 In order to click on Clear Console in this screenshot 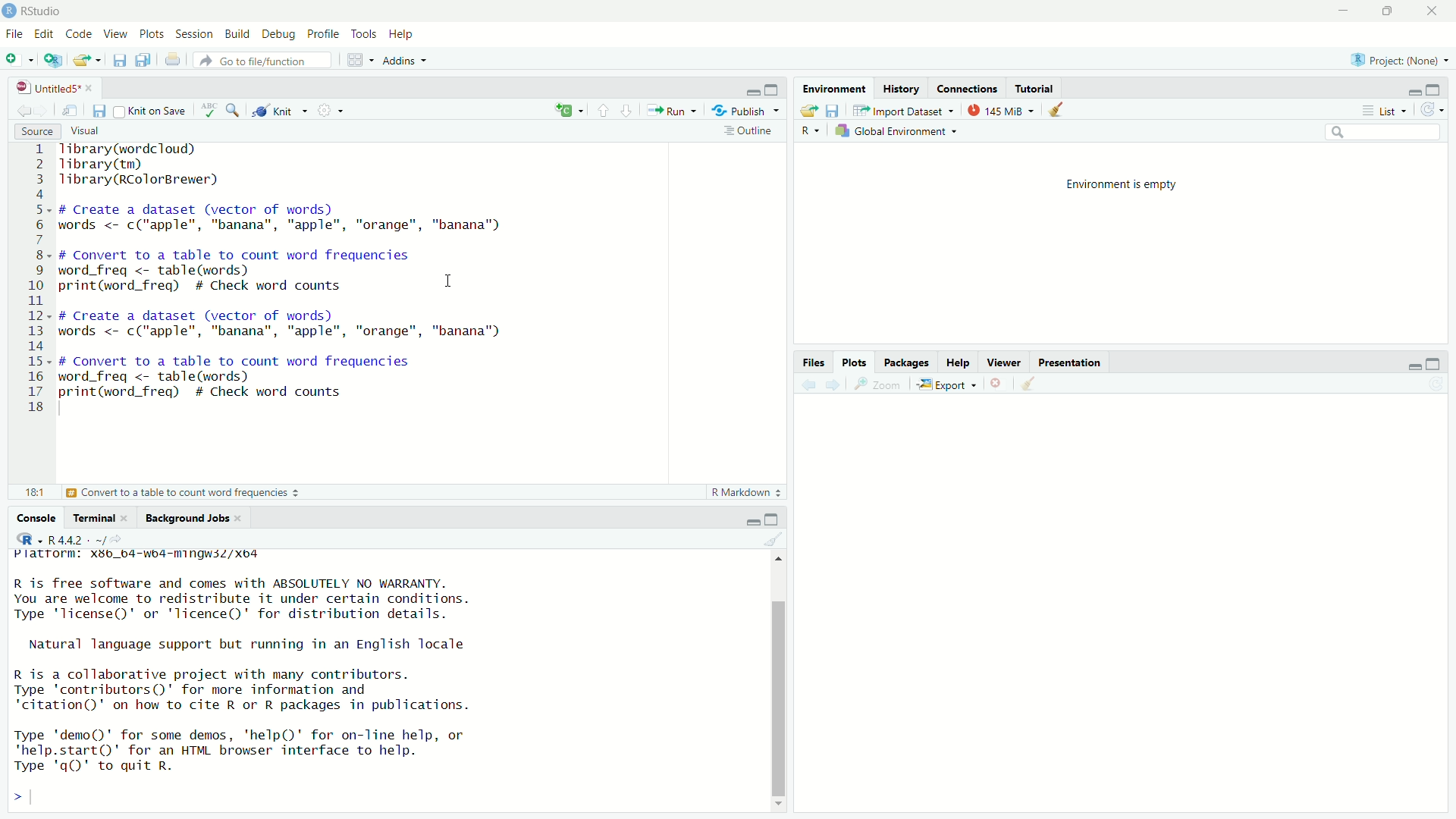, I will do `click(1034, 383)`.